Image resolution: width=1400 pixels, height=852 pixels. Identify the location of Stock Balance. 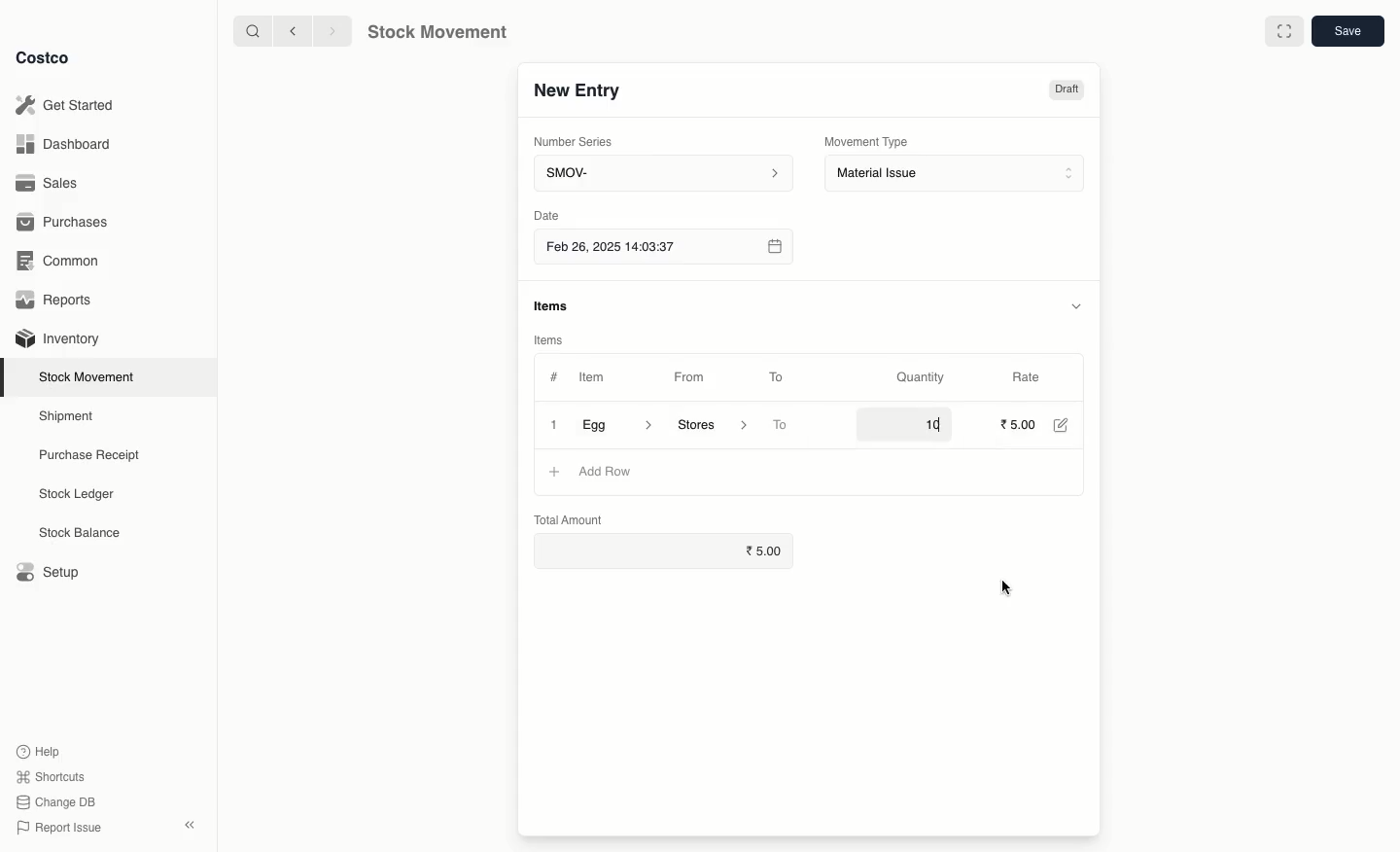
(82, 533).